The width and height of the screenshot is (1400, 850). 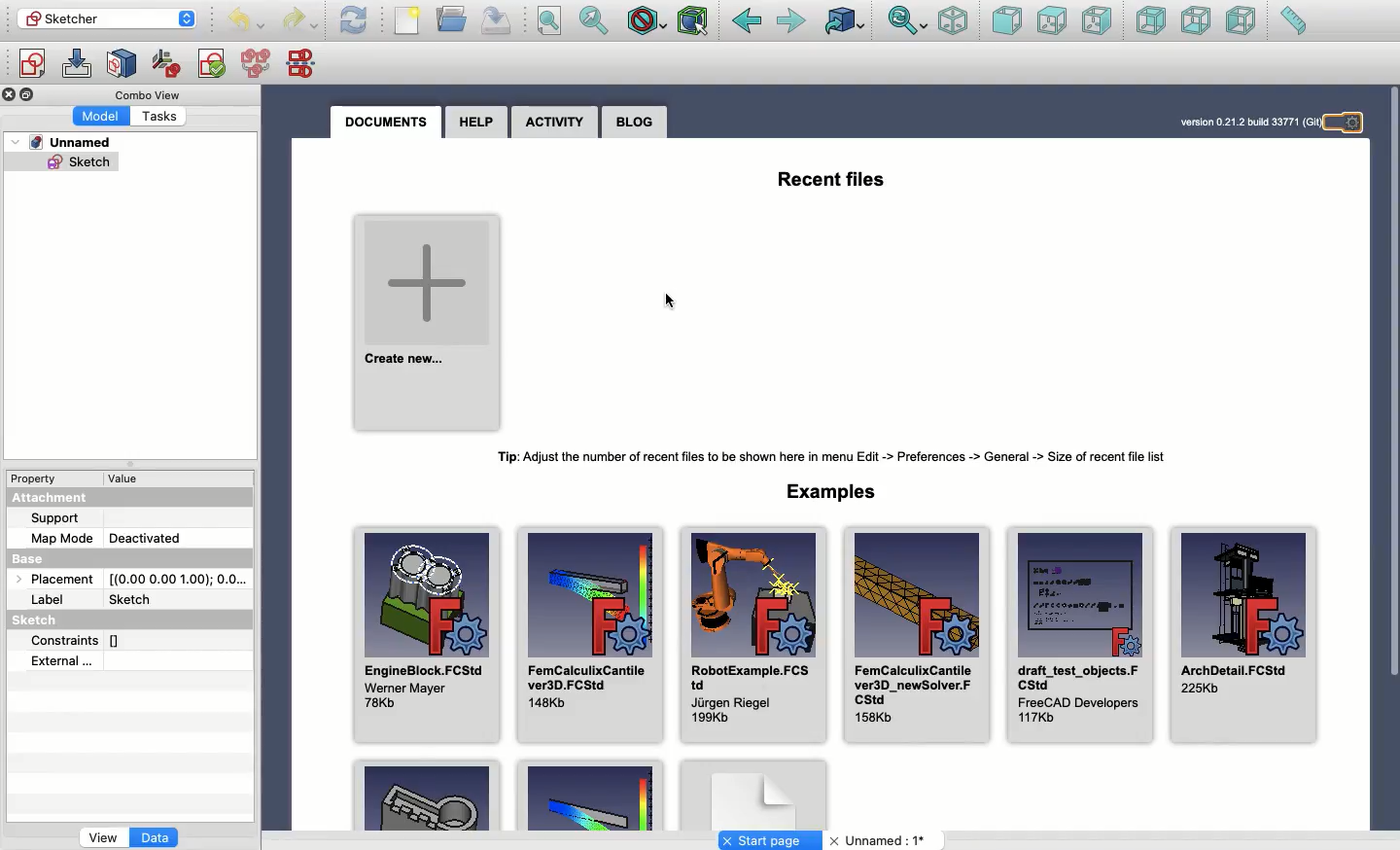 What do you see at coordinates (1246, 635) in the screenshot?
I see `ArchDetail.FCStd 225Kb` at bounding box center [1246, 635].